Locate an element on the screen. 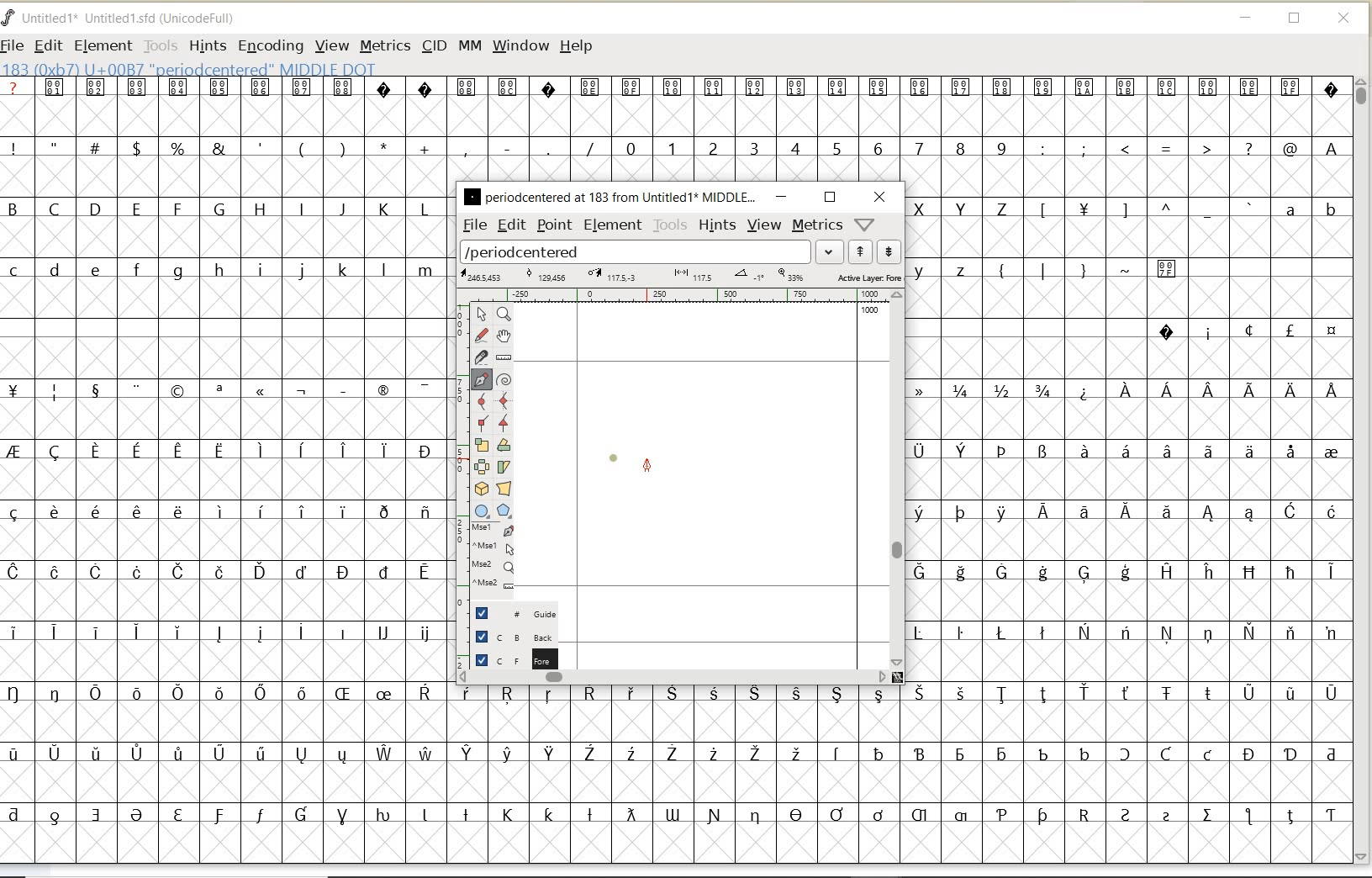  RESTORE is located at coordinates (1295, 21).